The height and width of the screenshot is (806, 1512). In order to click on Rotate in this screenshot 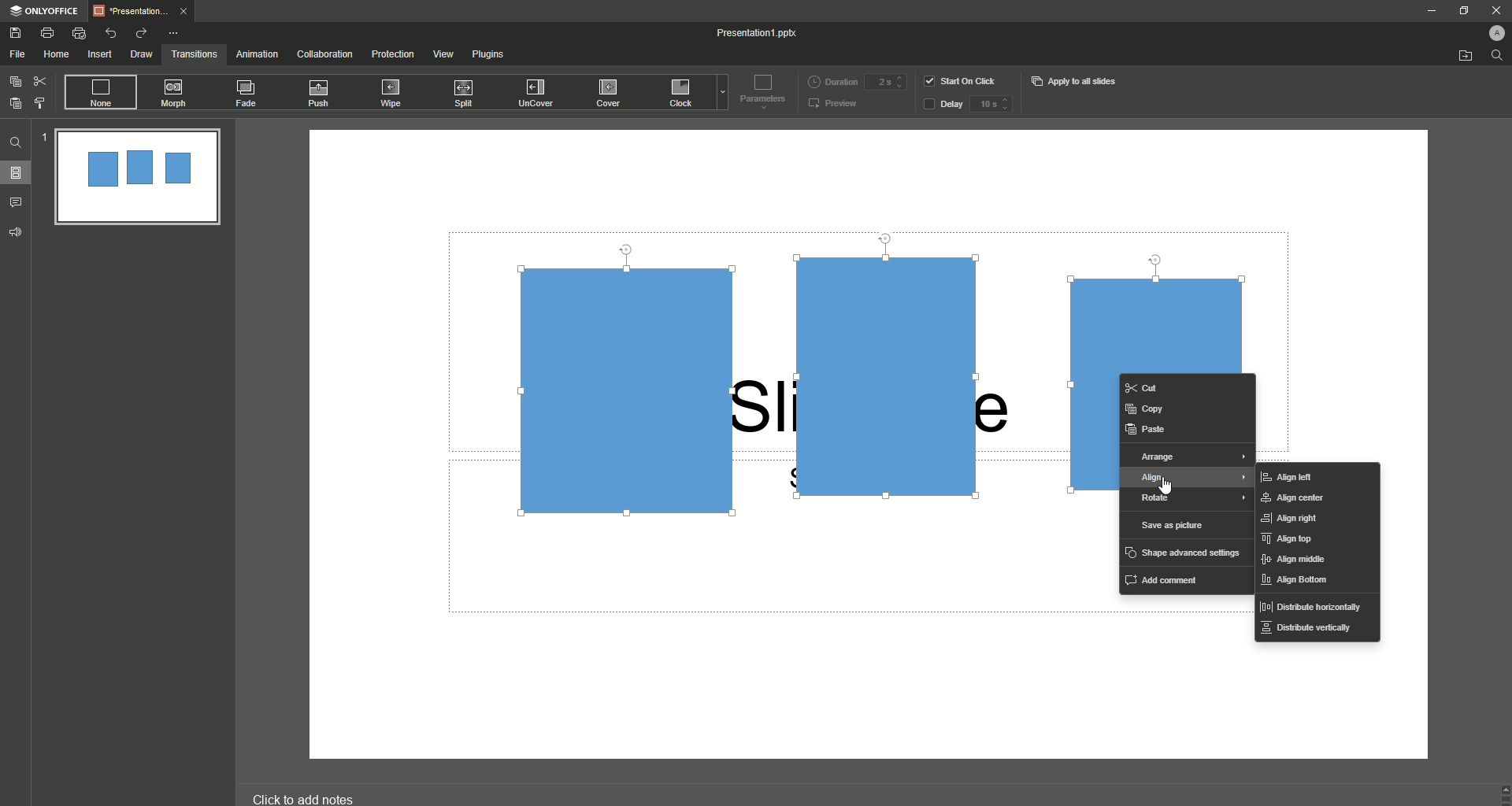, I will do `click(1191, 500)`.